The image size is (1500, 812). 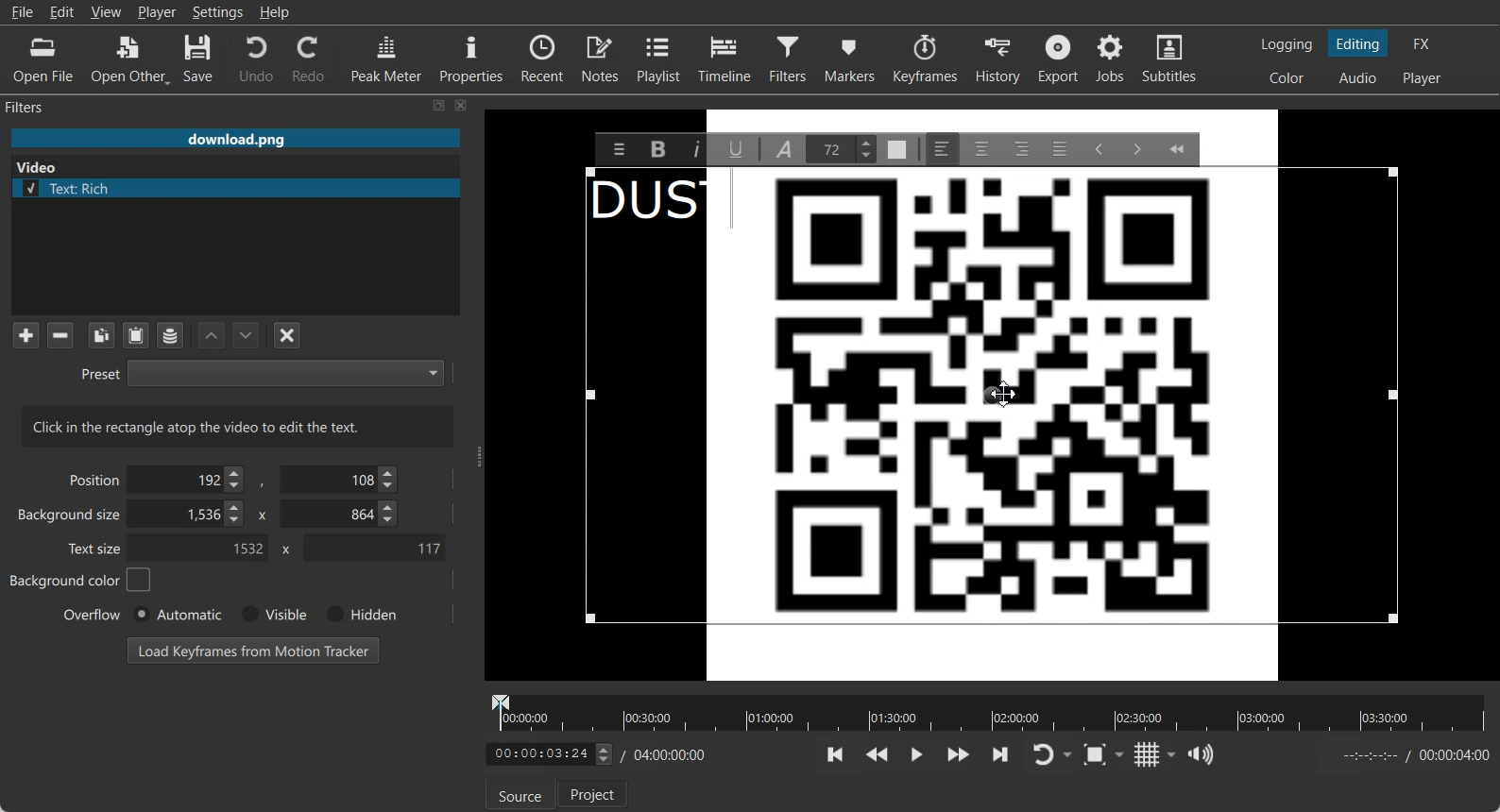 What do you see at coordinates (542, 57) in the screenshot?
I see `Recent` at bounding box center [542, 57].